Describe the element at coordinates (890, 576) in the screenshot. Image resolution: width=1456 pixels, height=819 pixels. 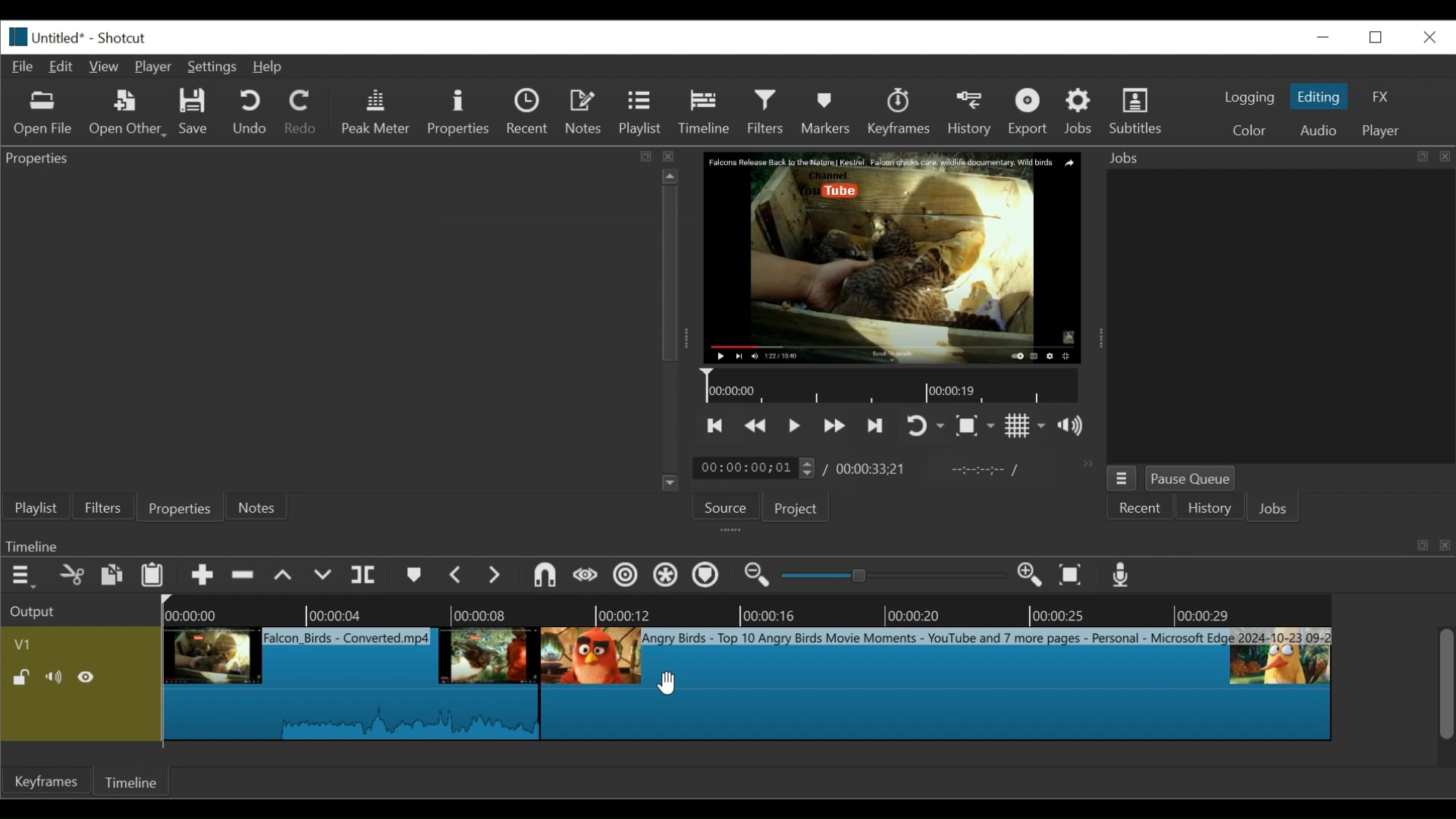
I see `Adjust Zoom Timeline Slider` at that location.